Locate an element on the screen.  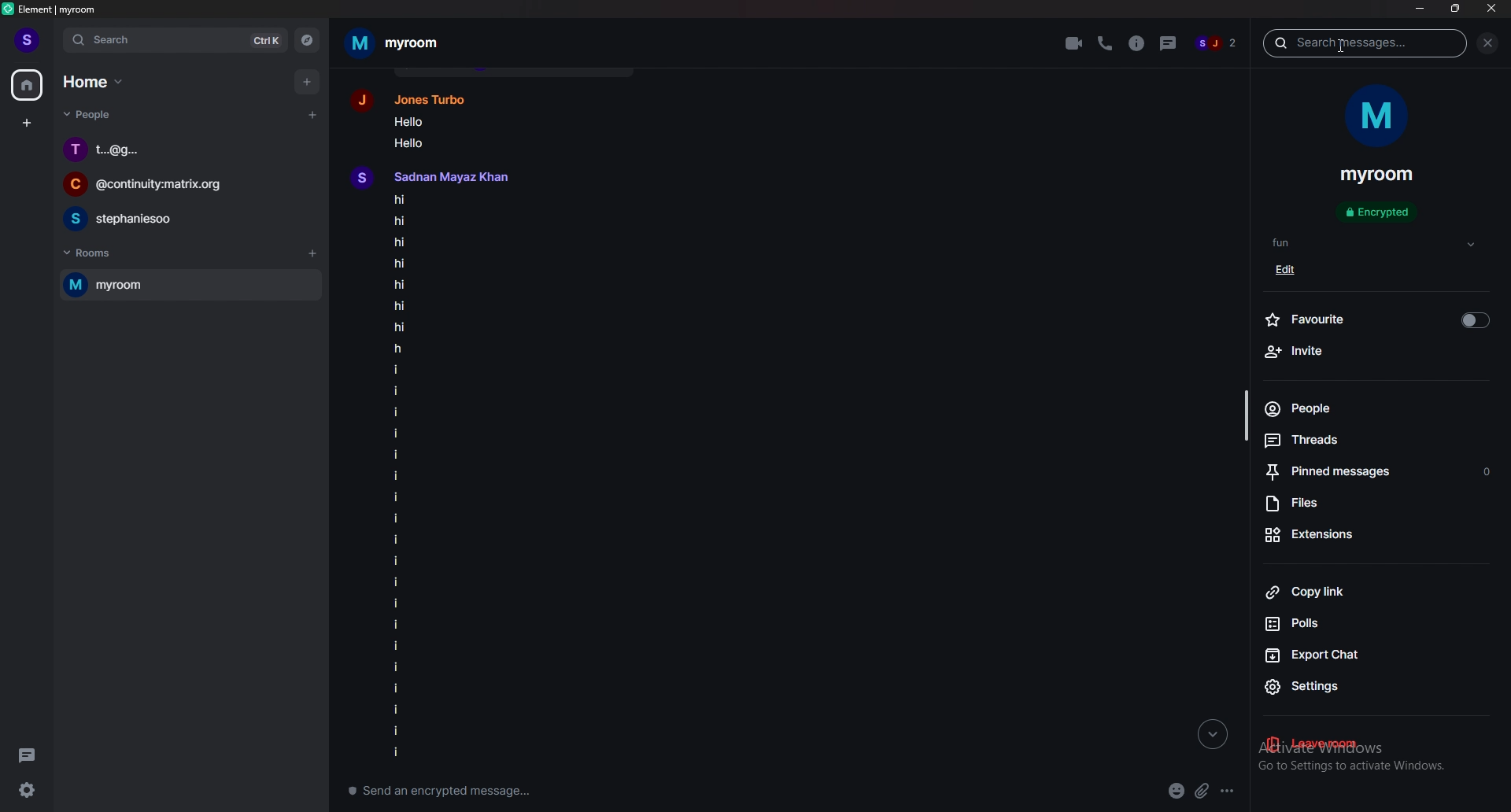
user profile is located at coordinates (447, 176).